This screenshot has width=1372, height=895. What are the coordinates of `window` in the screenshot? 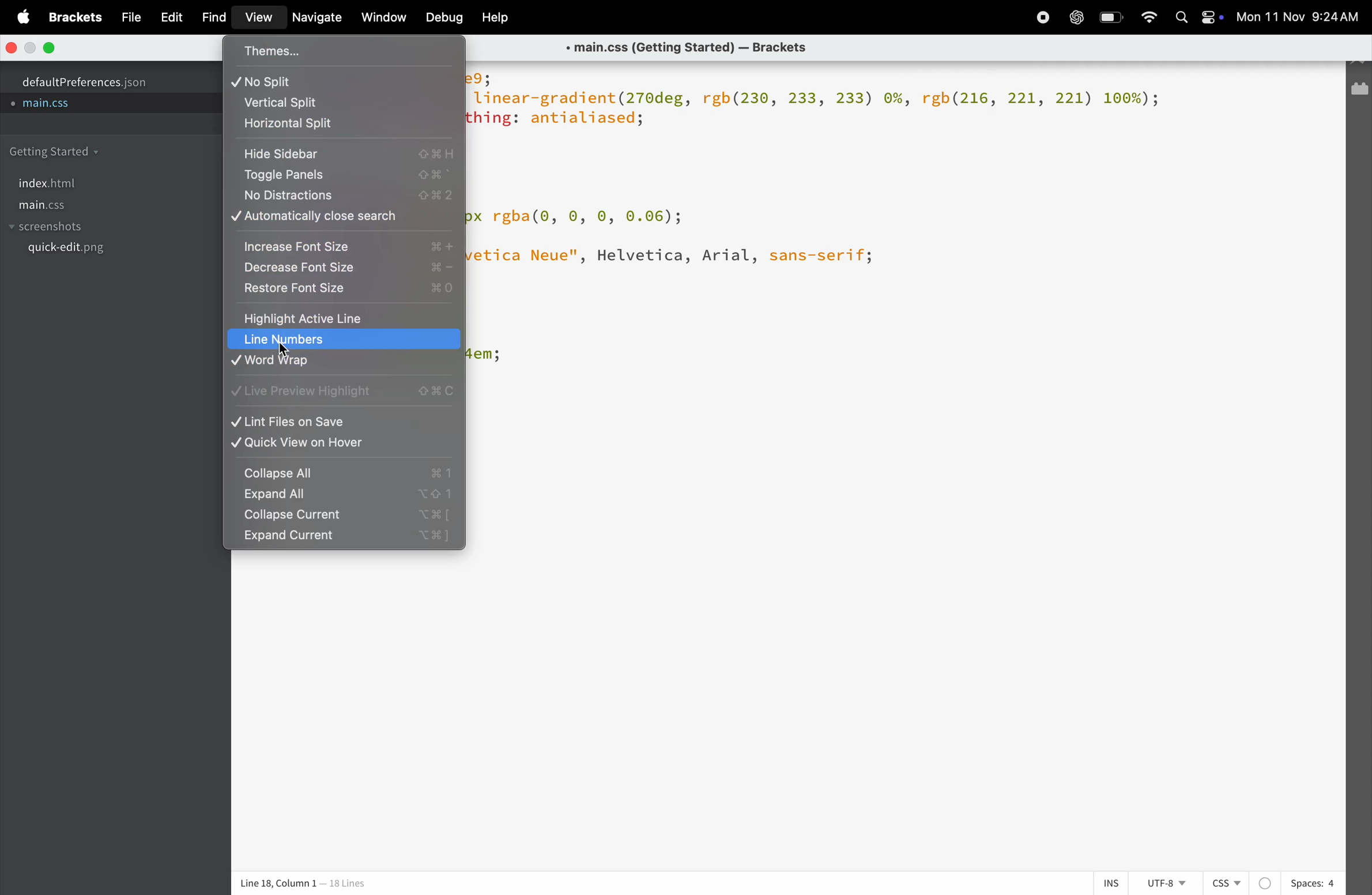 It's located at (382, 18).